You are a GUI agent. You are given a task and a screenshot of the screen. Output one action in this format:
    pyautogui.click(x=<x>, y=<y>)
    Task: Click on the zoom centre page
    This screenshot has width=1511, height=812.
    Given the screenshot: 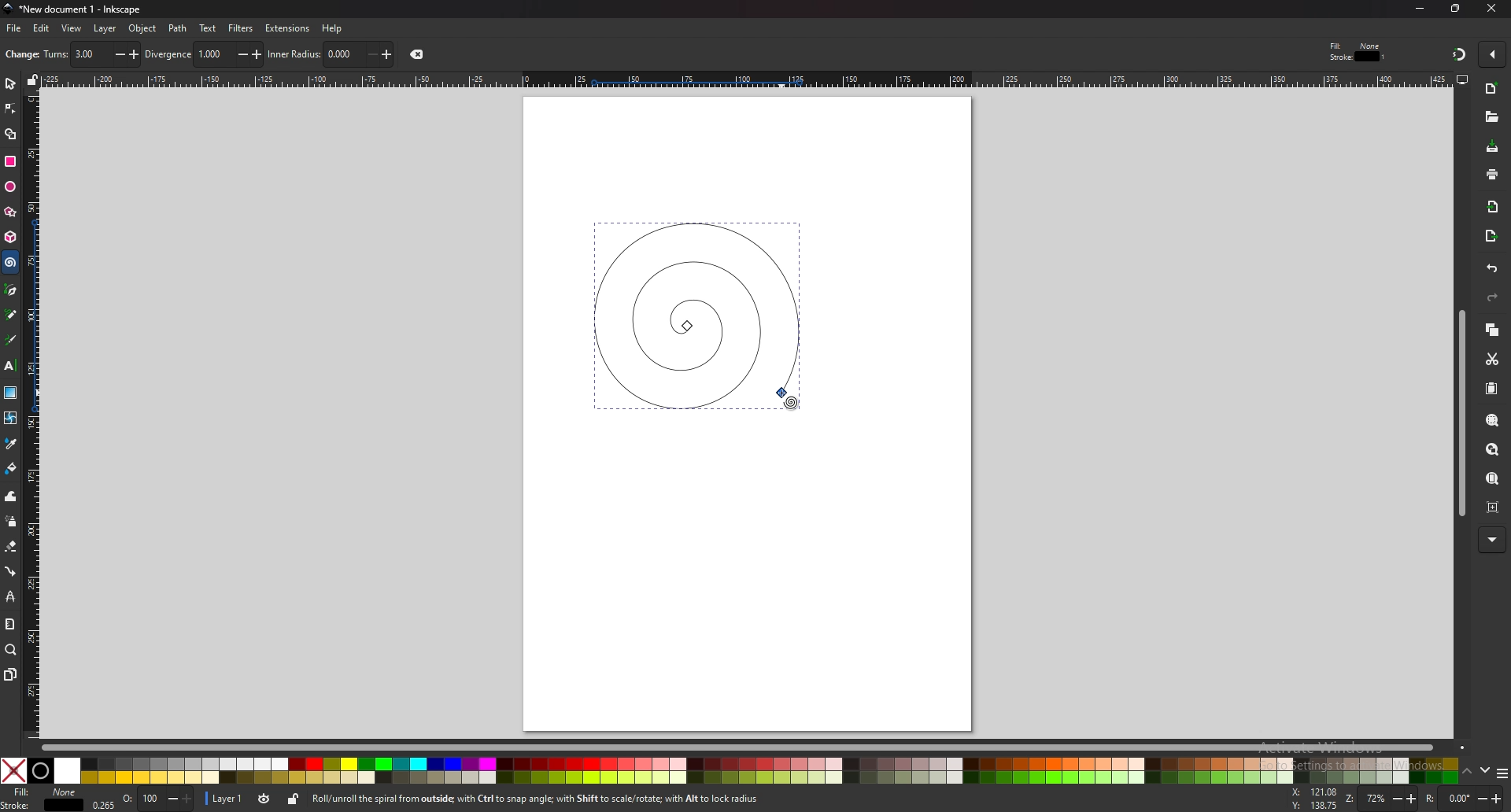 What is the action you would take?
    pyautogui.click(x=1493, y=507)
    